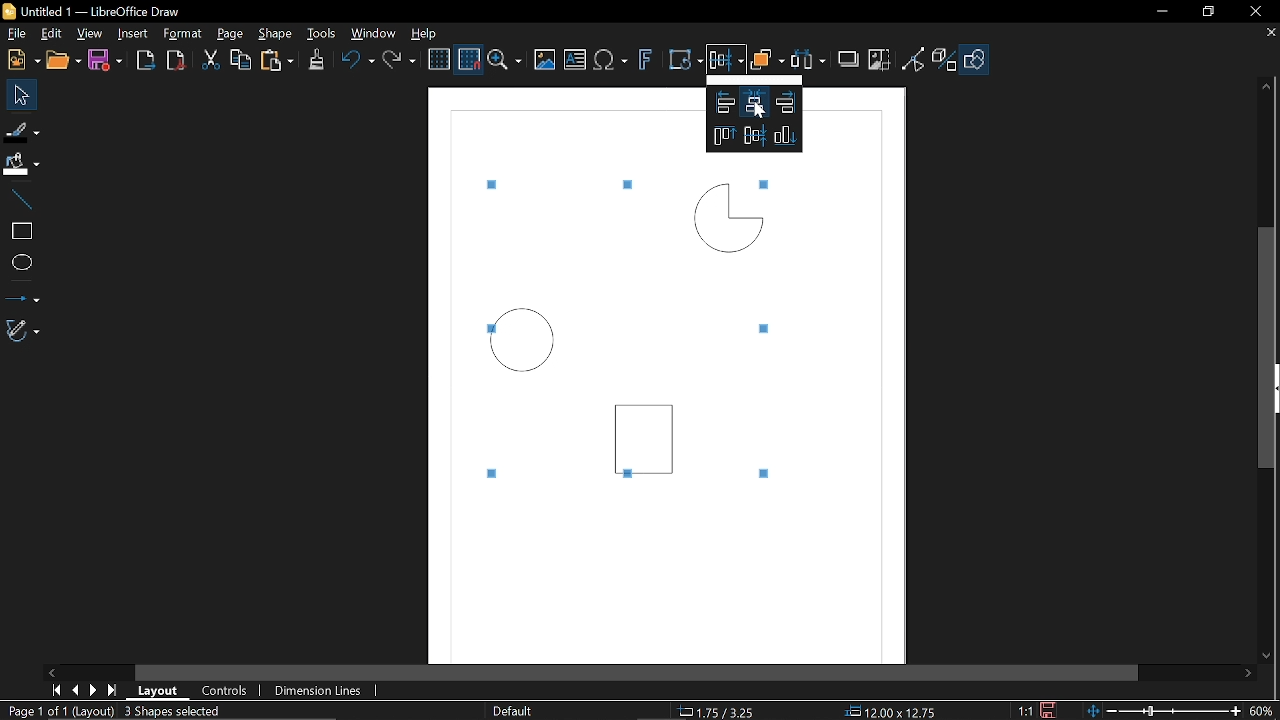 Image resolution: width=1280 pixels, height=720 pixels. I want to click on Toggle view, so click(913, 58).